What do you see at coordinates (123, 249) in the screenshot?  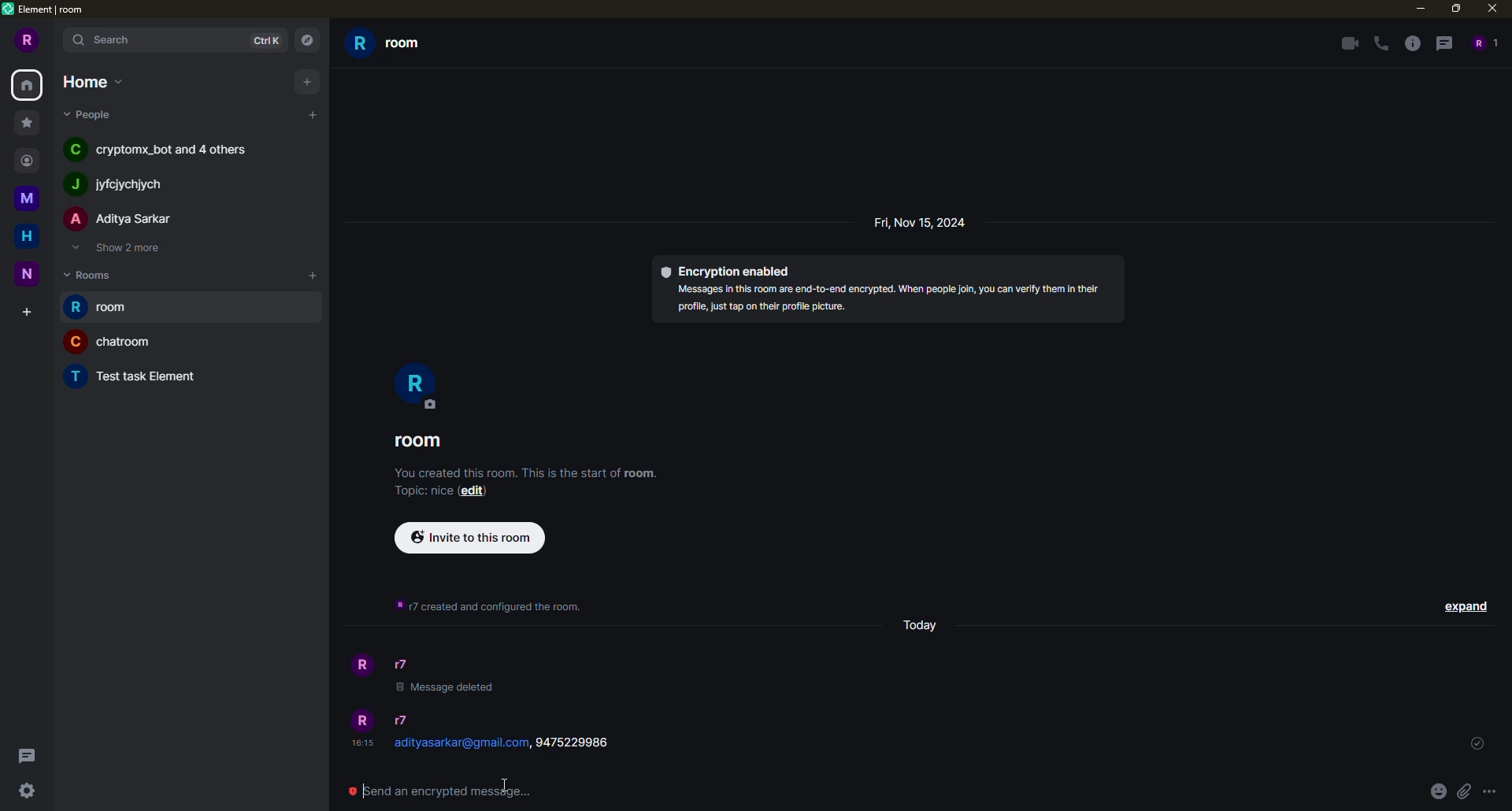 I see `show 2 more` at bounding box center [123, 249].